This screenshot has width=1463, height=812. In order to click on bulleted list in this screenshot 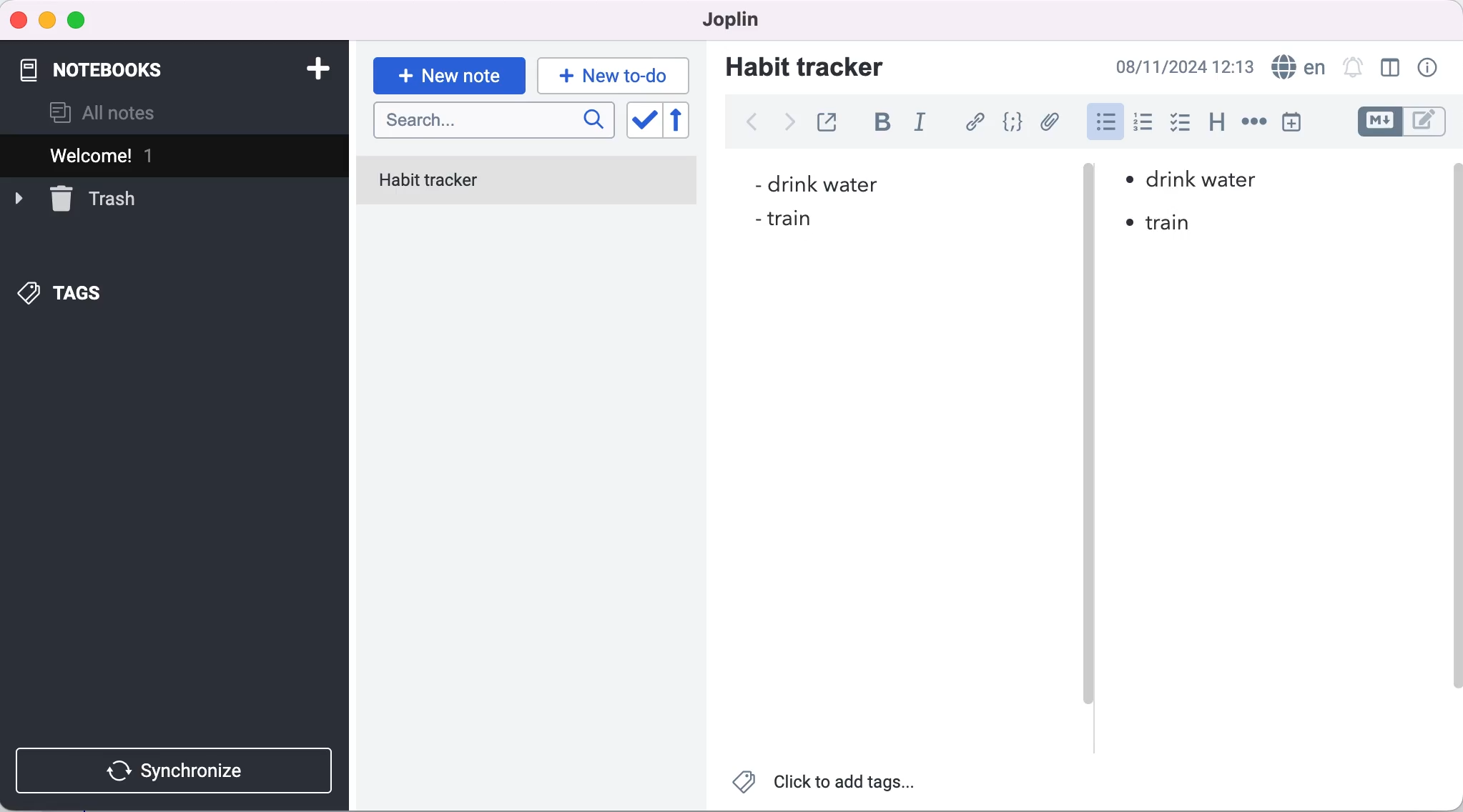, I will do `click(1103, 124)`.